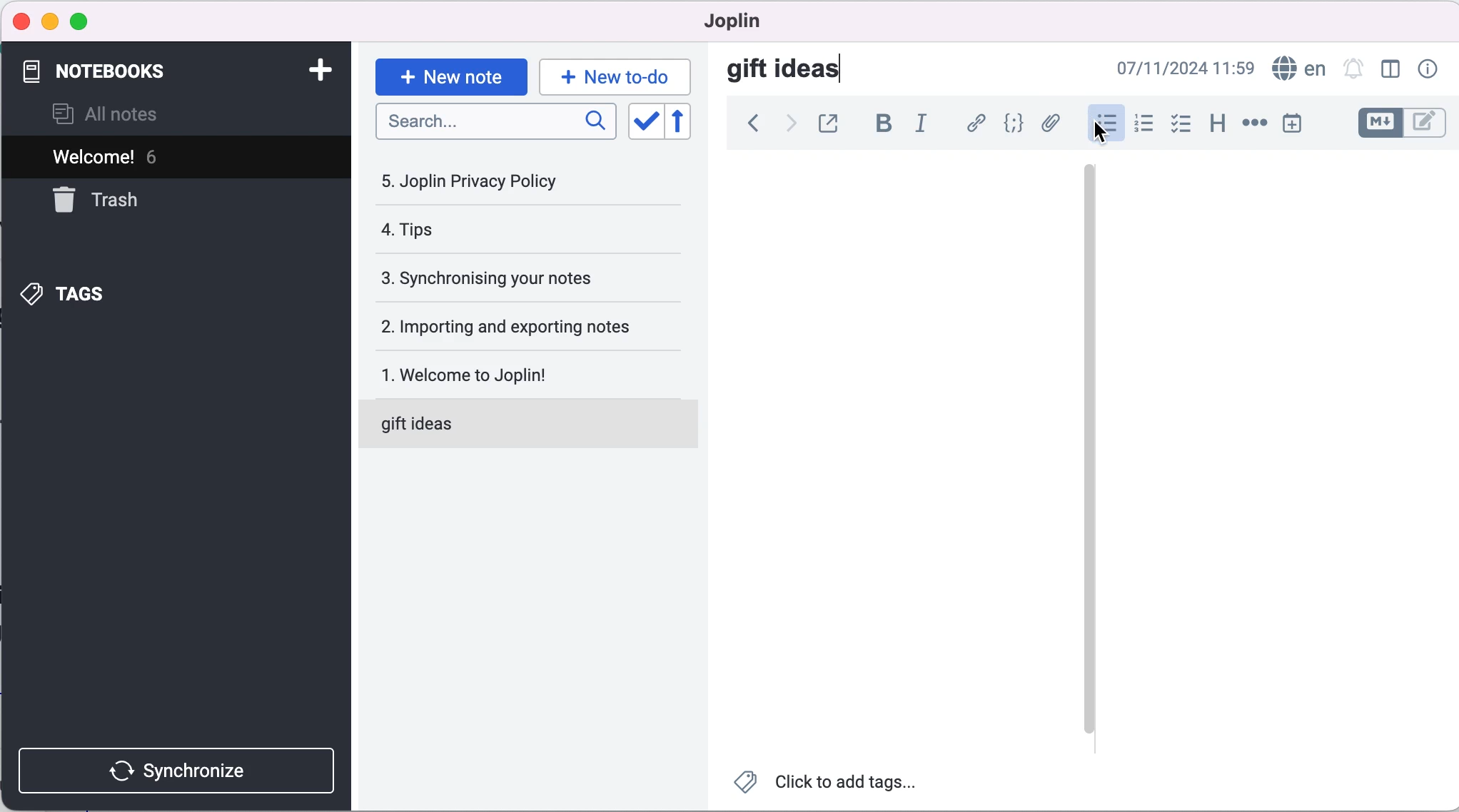  I want to click on notebooks, so click(108, 68).